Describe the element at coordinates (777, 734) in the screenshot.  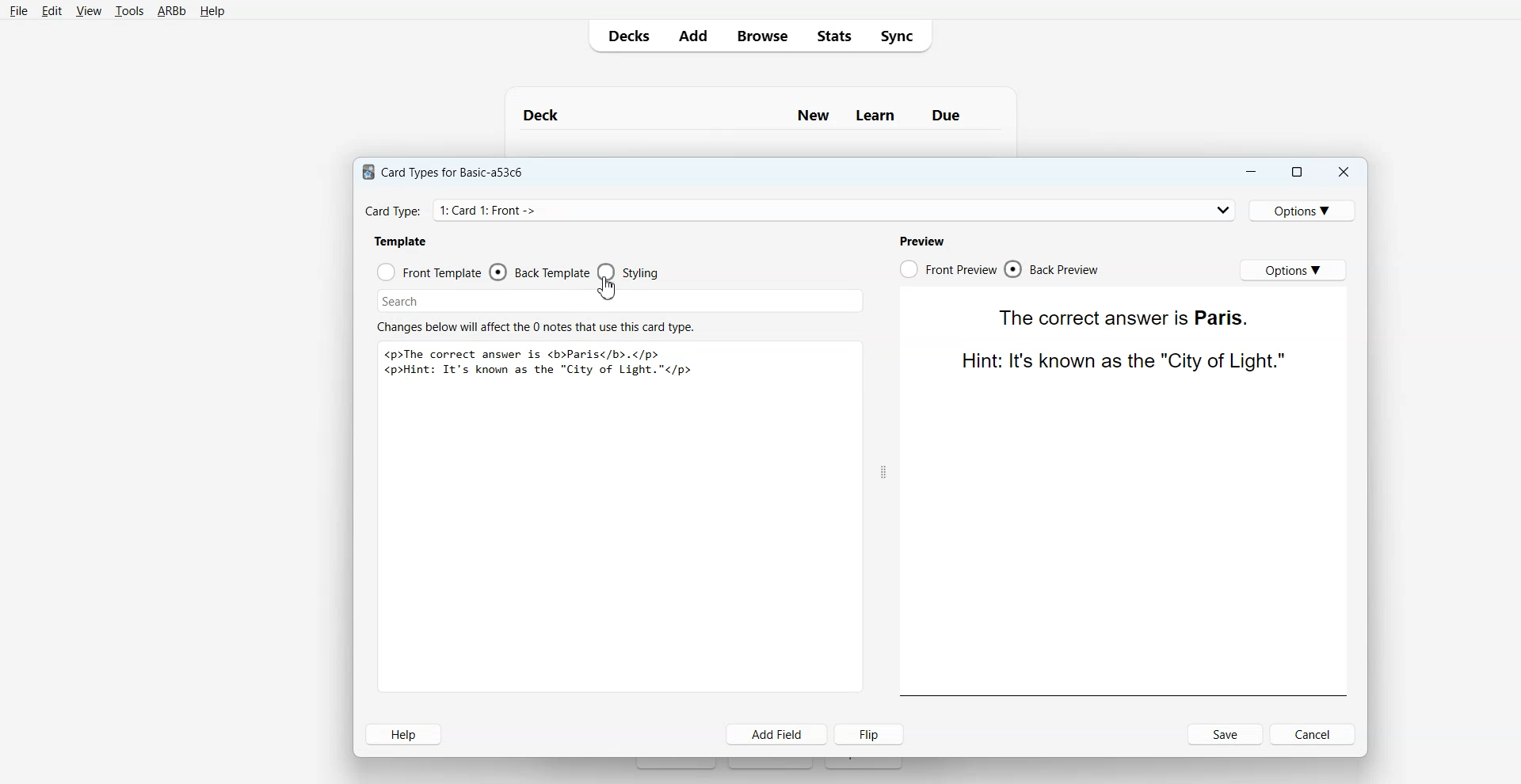
I see `Add Field` at that location.